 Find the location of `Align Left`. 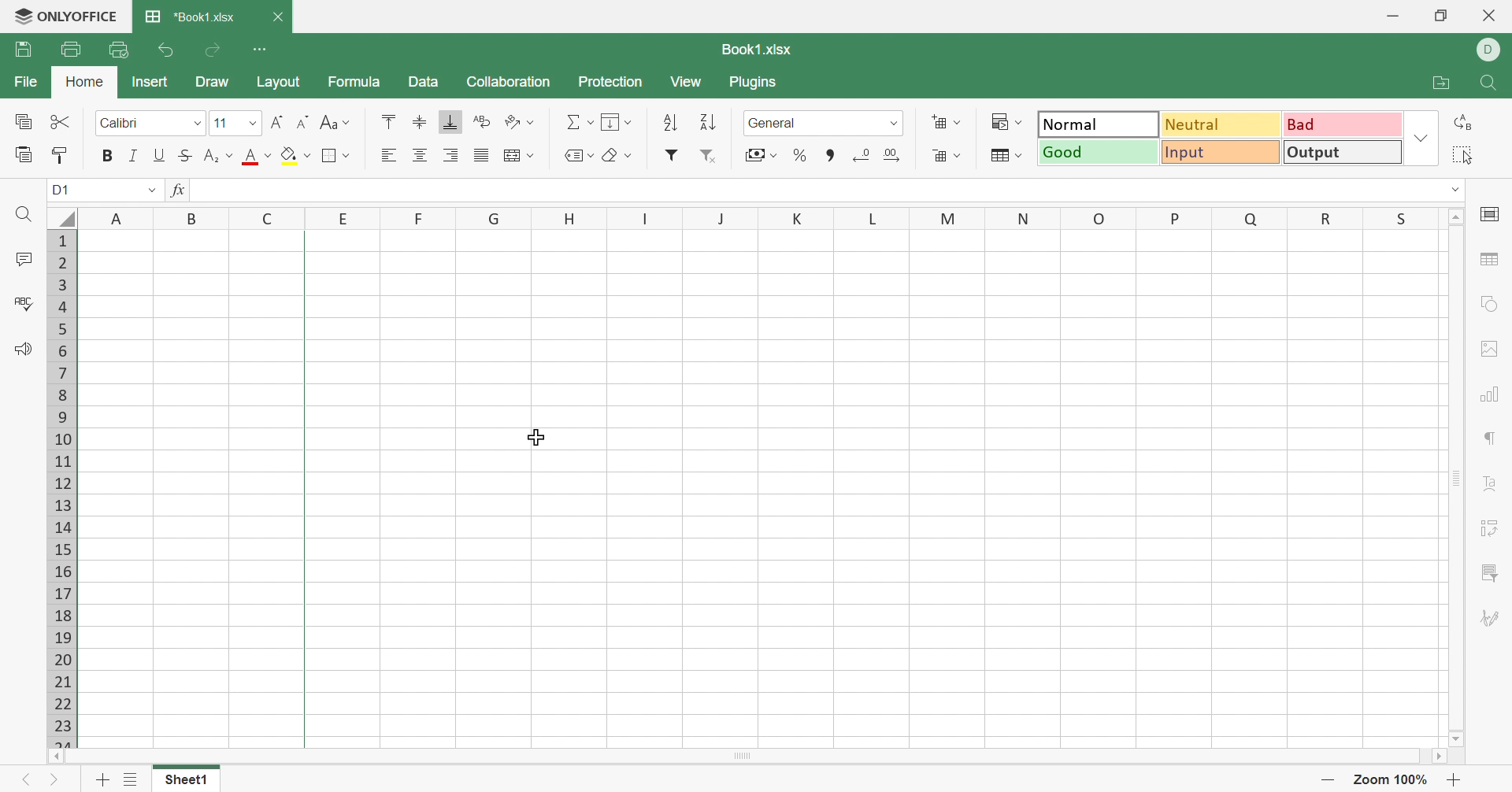

Align Left is located at coordinates (387, 155).